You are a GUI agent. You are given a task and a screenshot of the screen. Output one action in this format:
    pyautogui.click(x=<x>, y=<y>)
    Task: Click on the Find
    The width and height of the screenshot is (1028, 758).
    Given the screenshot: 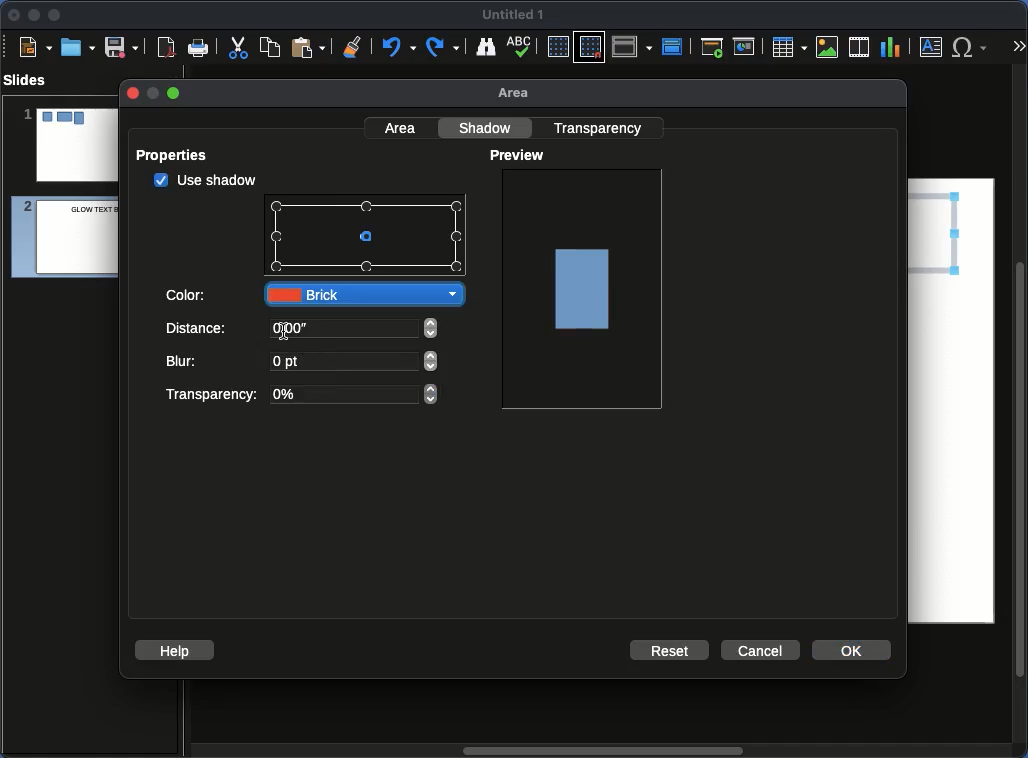 What is the action you would take?
    pyautogui.click(x=485, y=46)
    